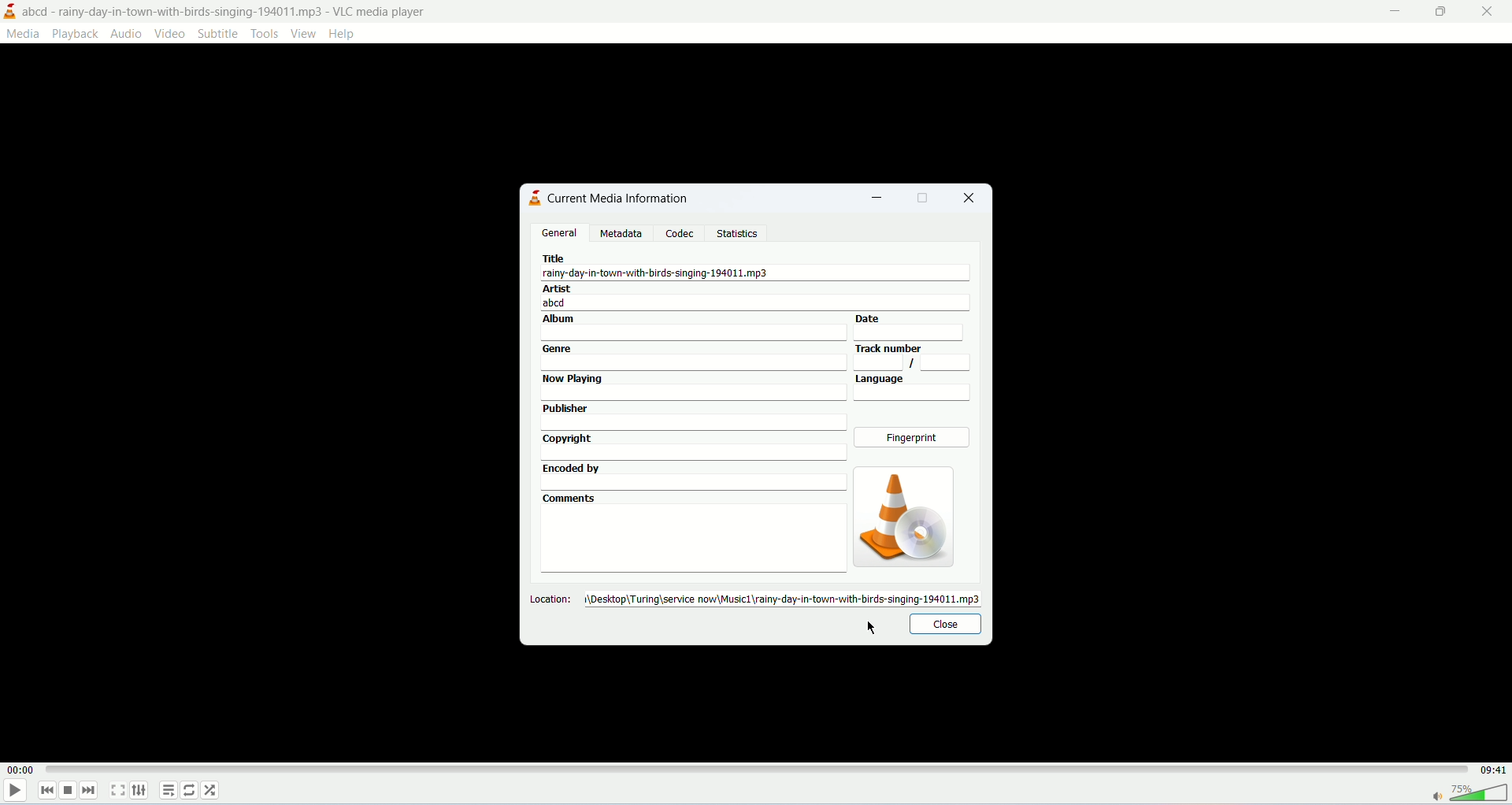 This screenshot has height=805, width=1512. What do you see at coordinates (758, 769) in the screenshot?
I see `progress bar` at bounding box center [758, 769].